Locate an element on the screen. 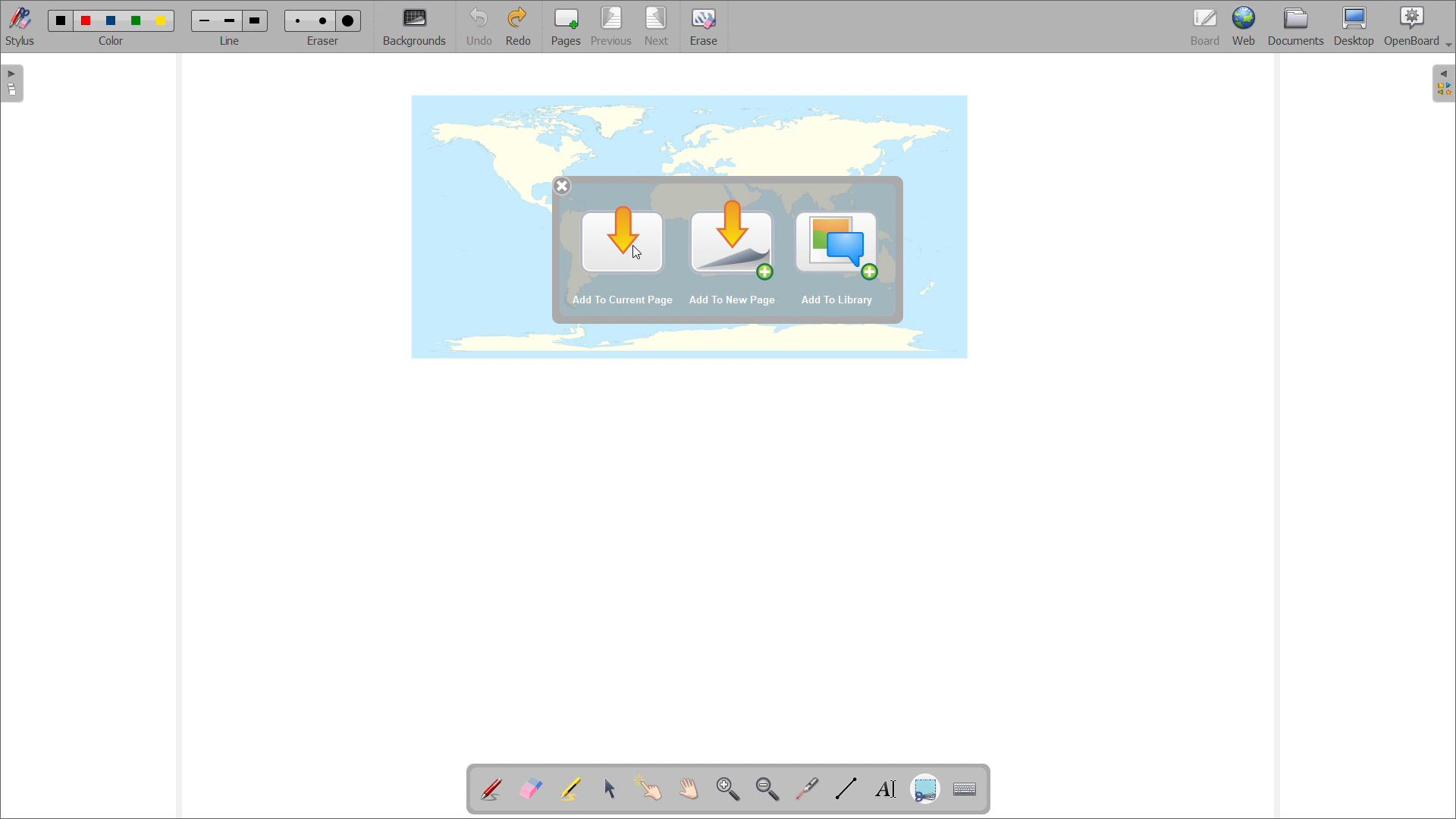 This screenshot has height=819, width=1456. add to library is located at coordinates (836, 300).